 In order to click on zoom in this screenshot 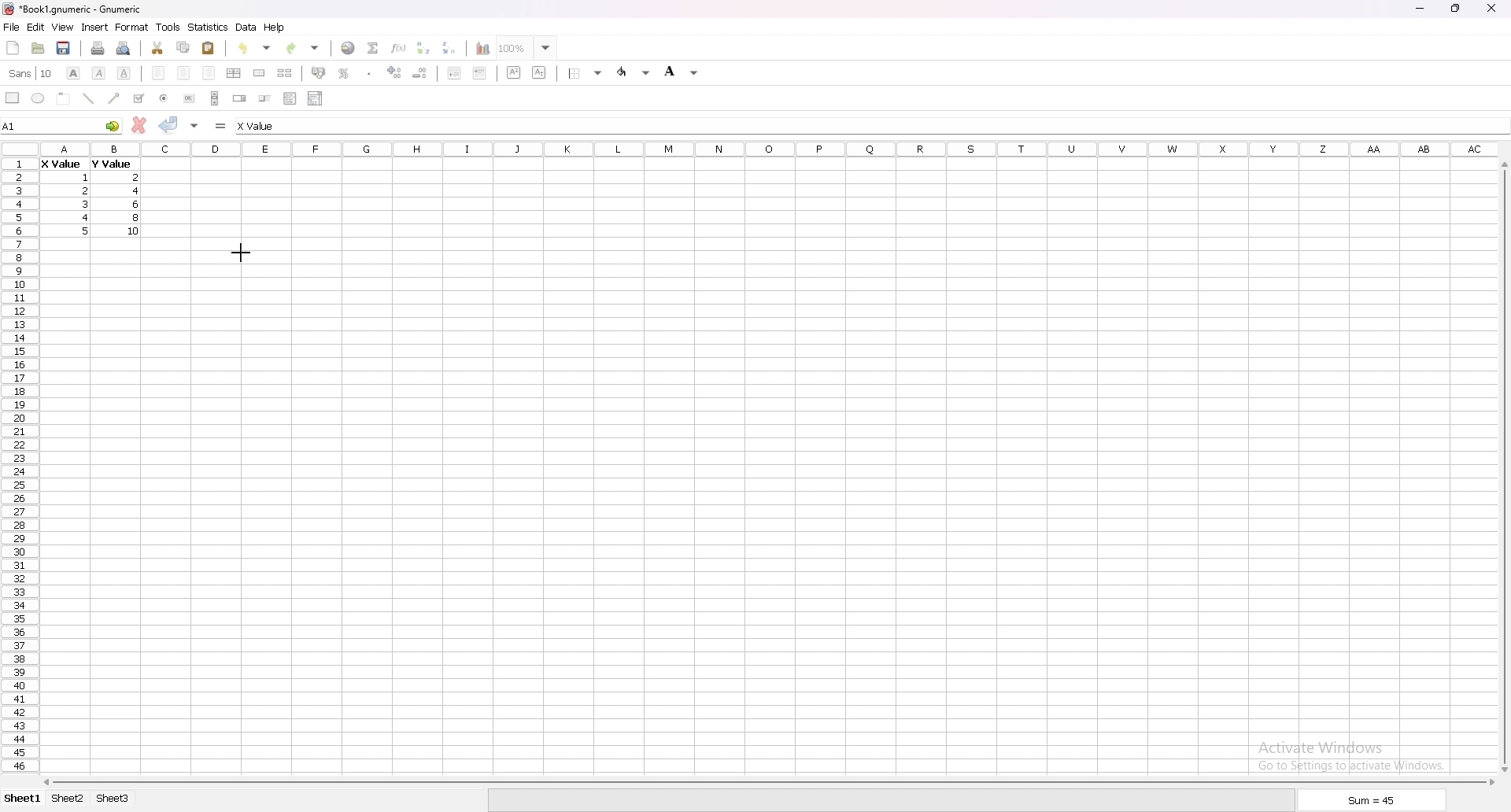, I will do `click(526, 47)`.